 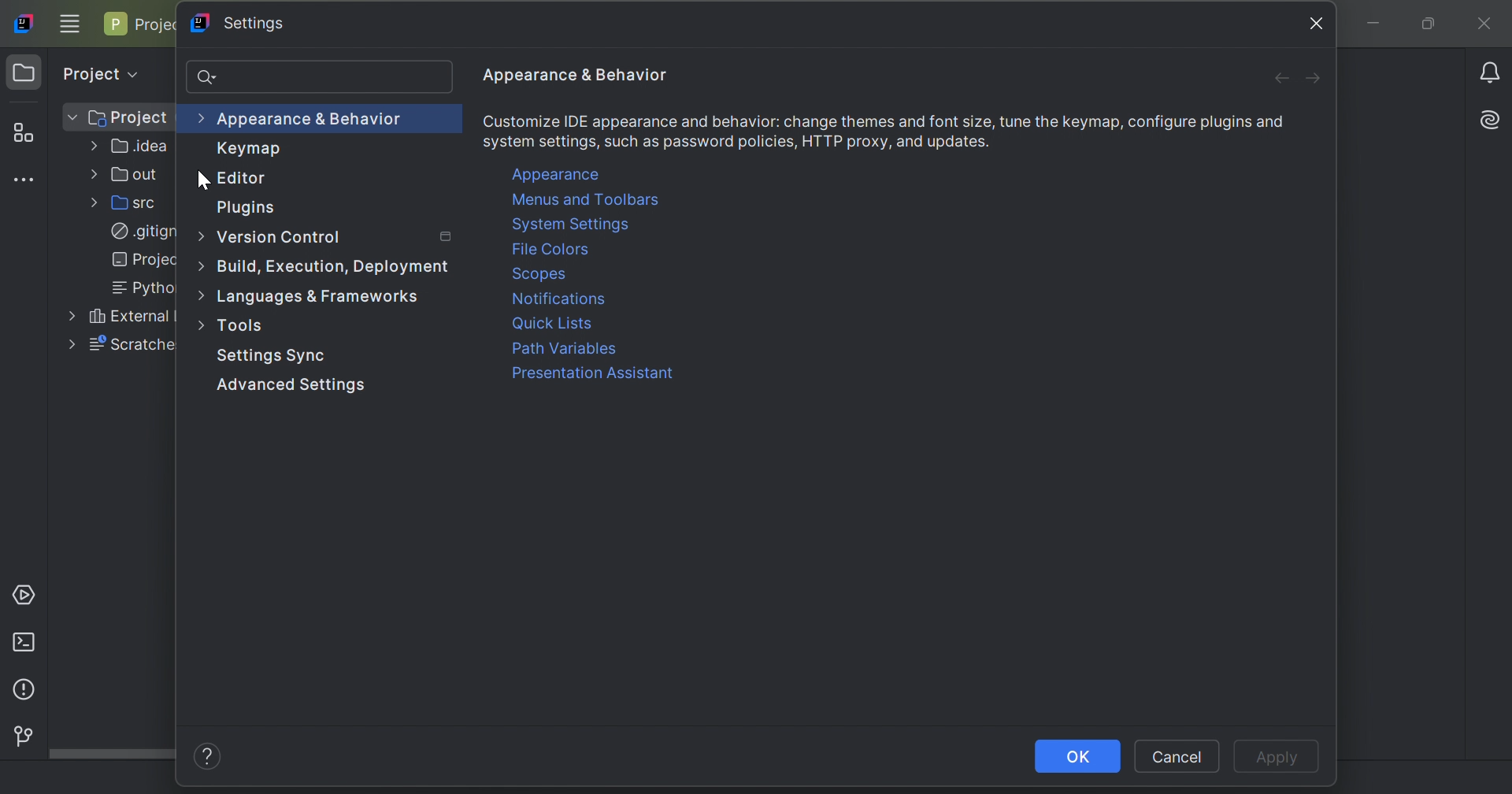 I want to click on Main menu, so click(x=70, y=23).